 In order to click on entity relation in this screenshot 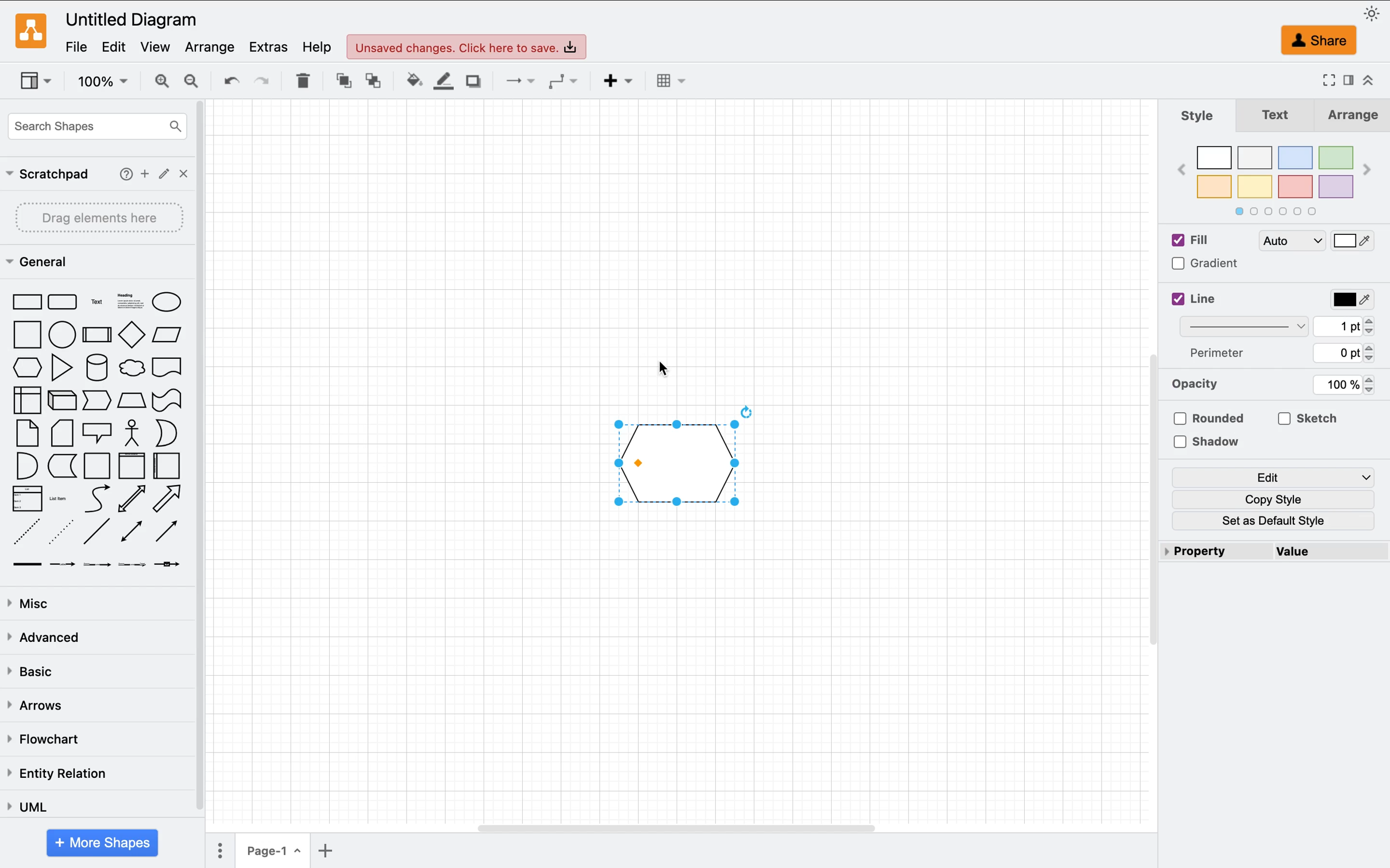, I will do `click(56, 774)`.